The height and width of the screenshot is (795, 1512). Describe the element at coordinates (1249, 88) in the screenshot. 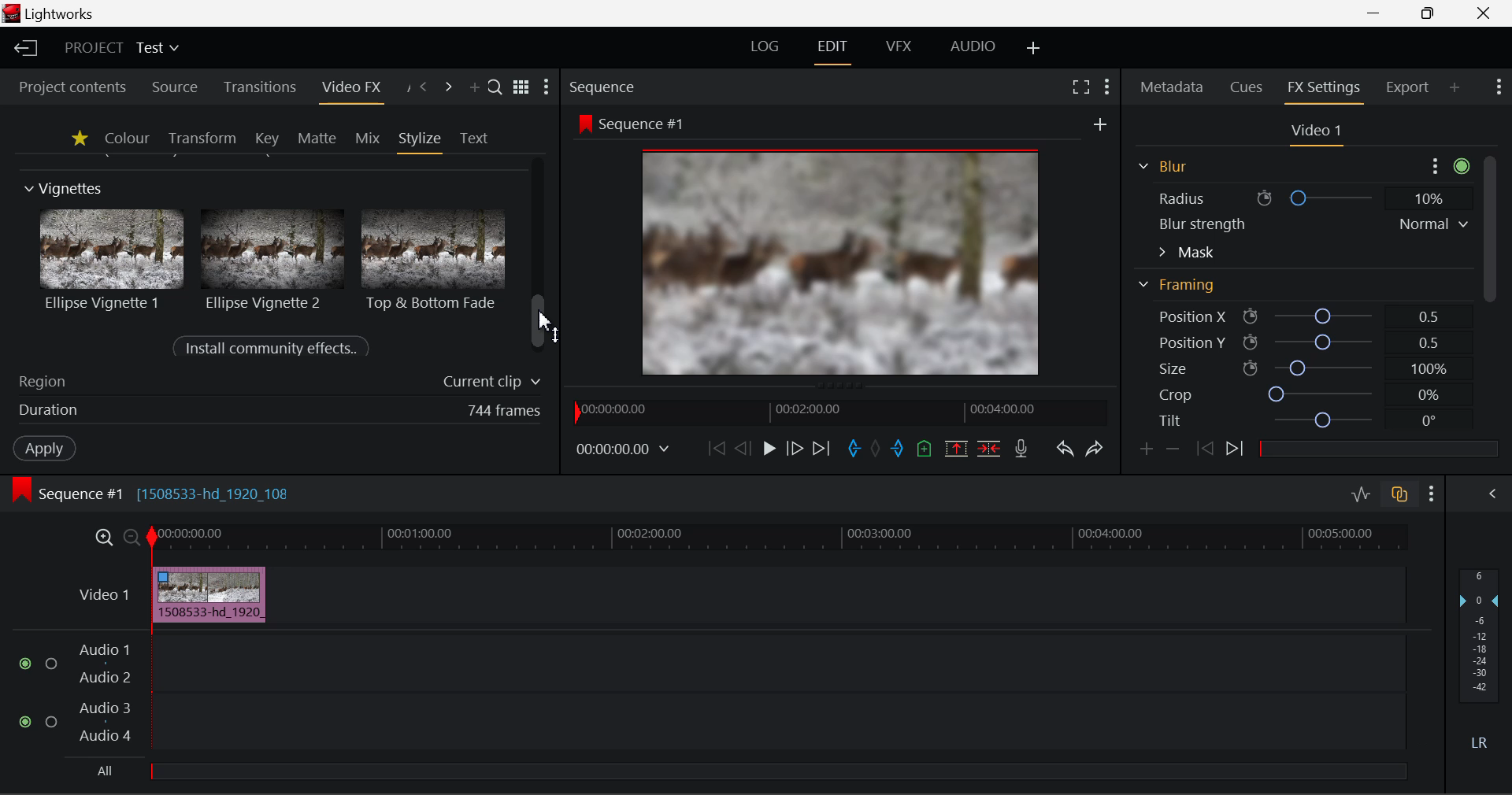

I see `Cues` at that location.